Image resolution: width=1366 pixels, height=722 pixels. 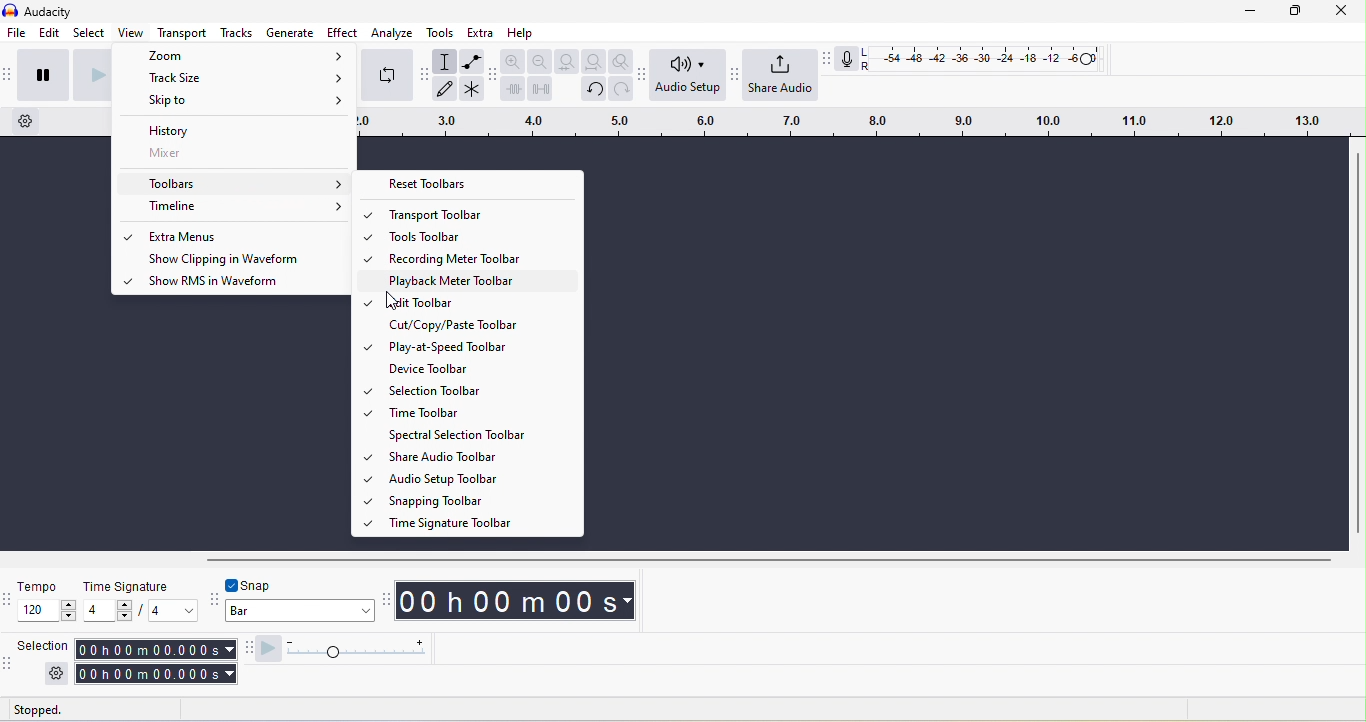 I want to click on undo, so click(x=594, y=90).